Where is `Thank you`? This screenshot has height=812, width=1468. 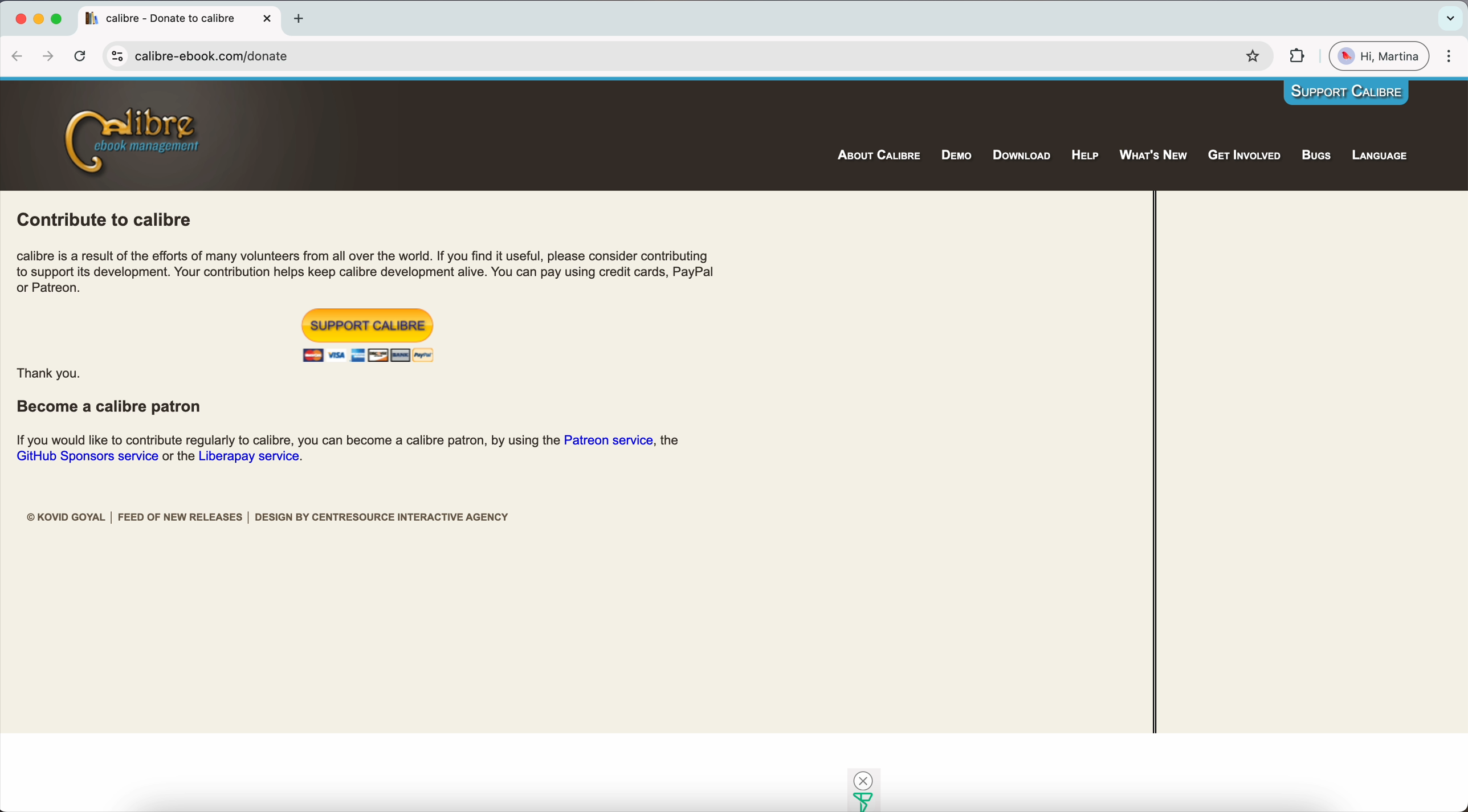 Thank you is located at coordinates (49, 375).